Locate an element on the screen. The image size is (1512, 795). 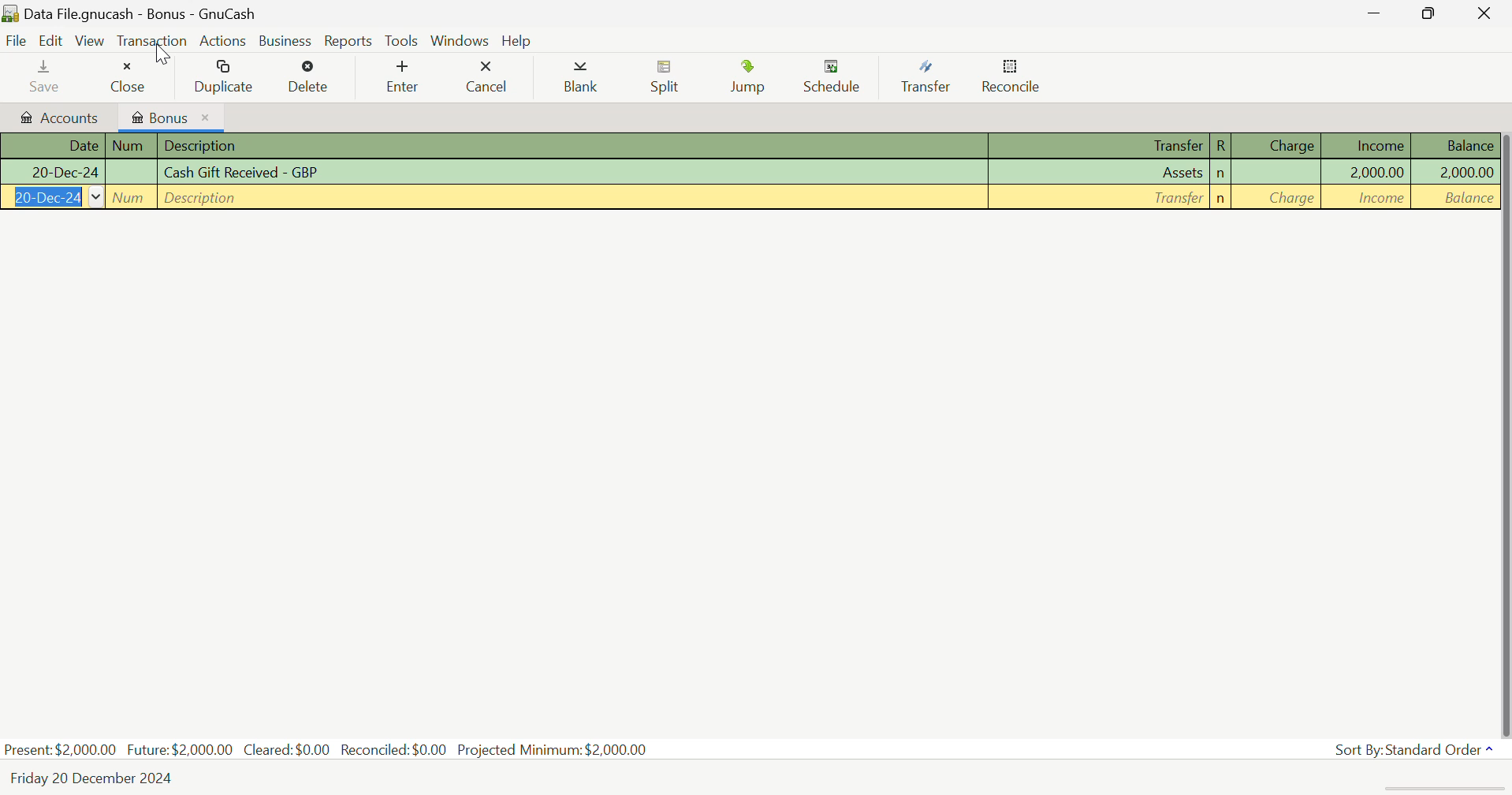
Cleared is located at coordinates (291, 749).